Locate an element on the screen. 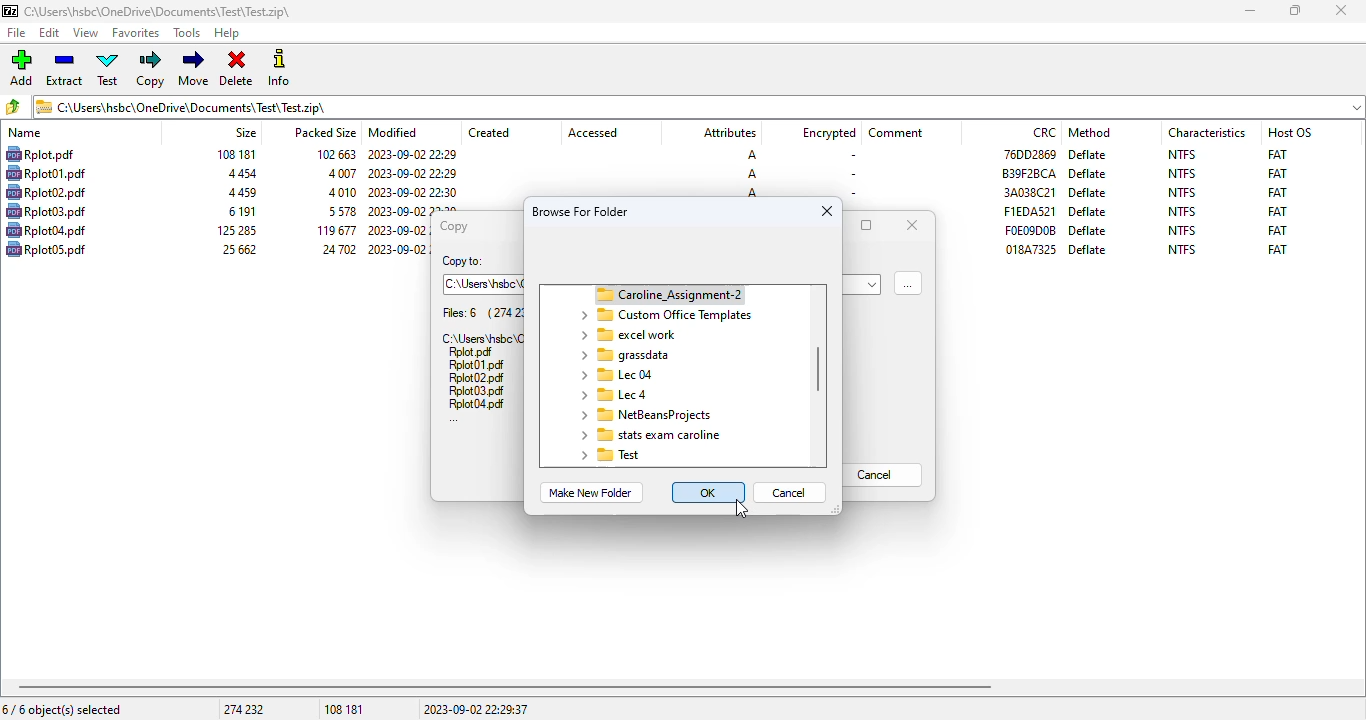 The image size is (1366, 720). host OS is located at coordinates (1290, 132).